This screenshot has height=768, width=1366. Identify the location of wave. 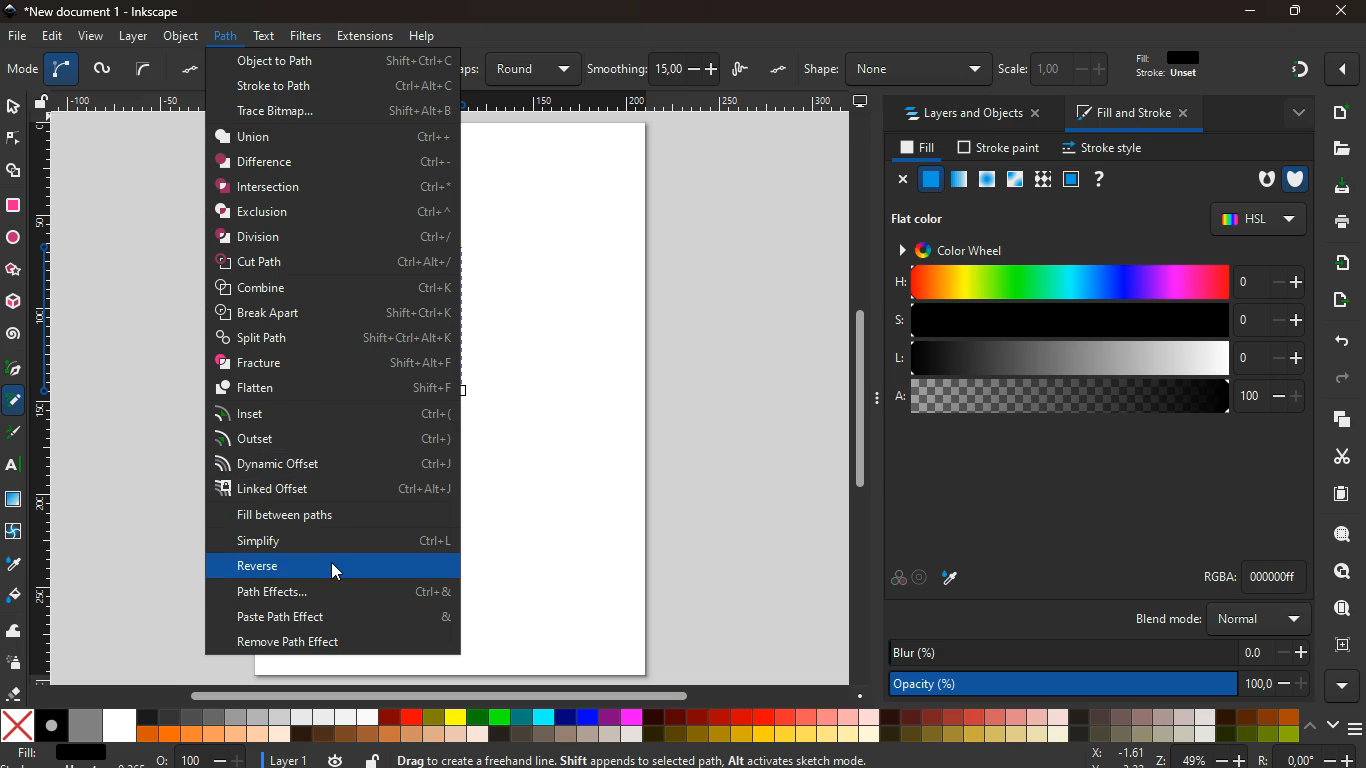
(14, 632).